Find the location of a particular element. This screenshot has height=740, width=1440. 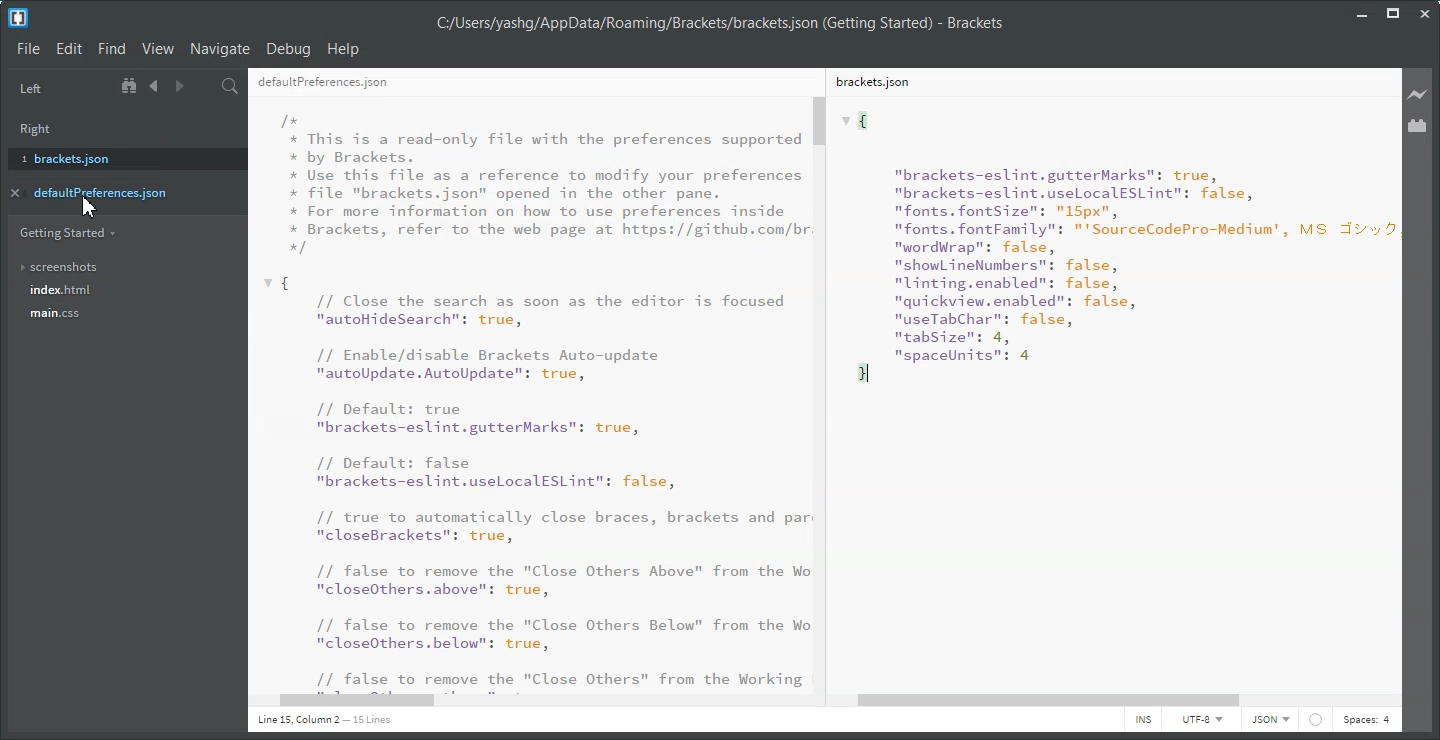

brackets.json File is located at coordinates (1103, 81).